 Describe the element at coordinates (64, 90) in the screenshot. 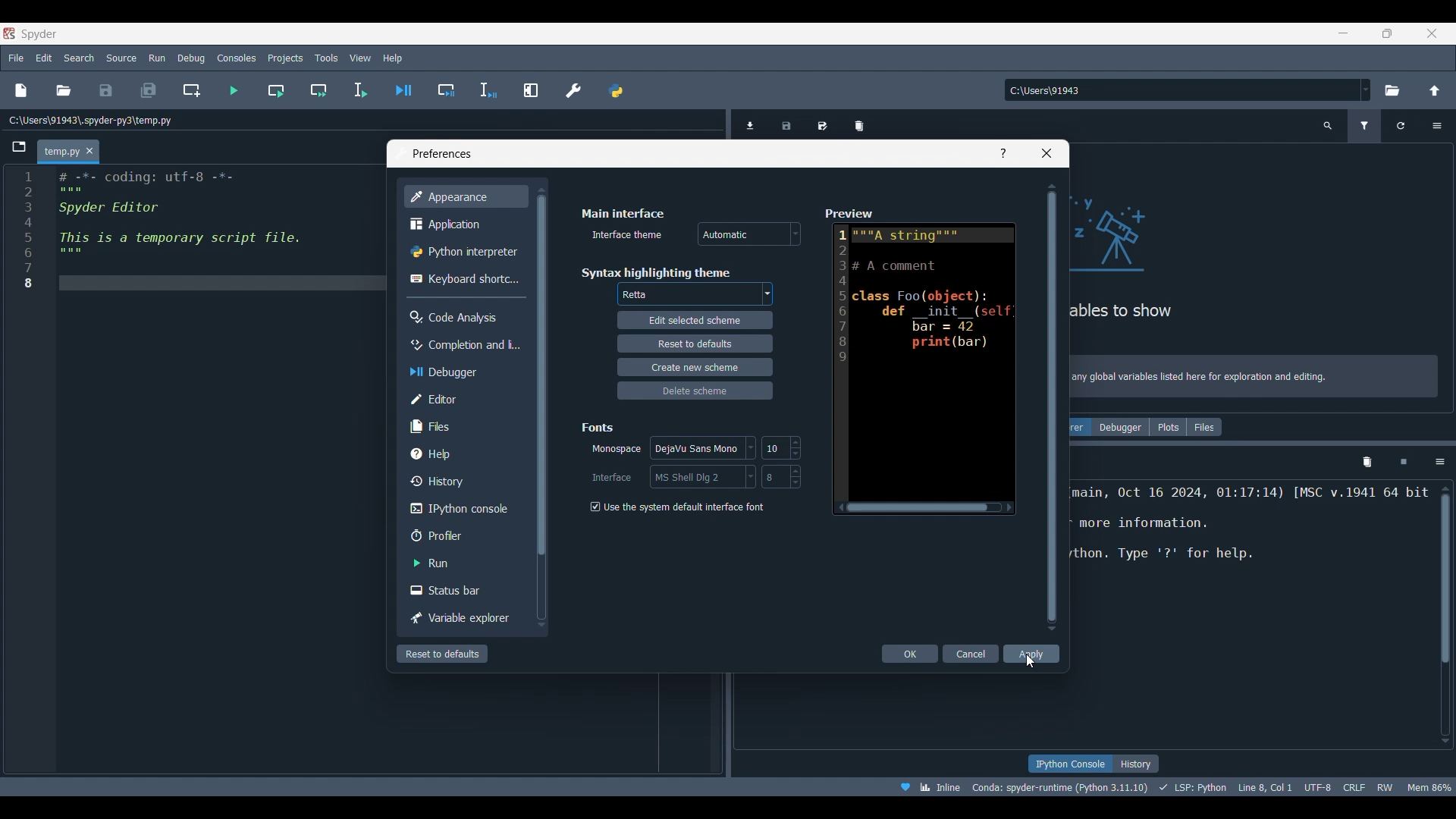

I see `Open` at that location.